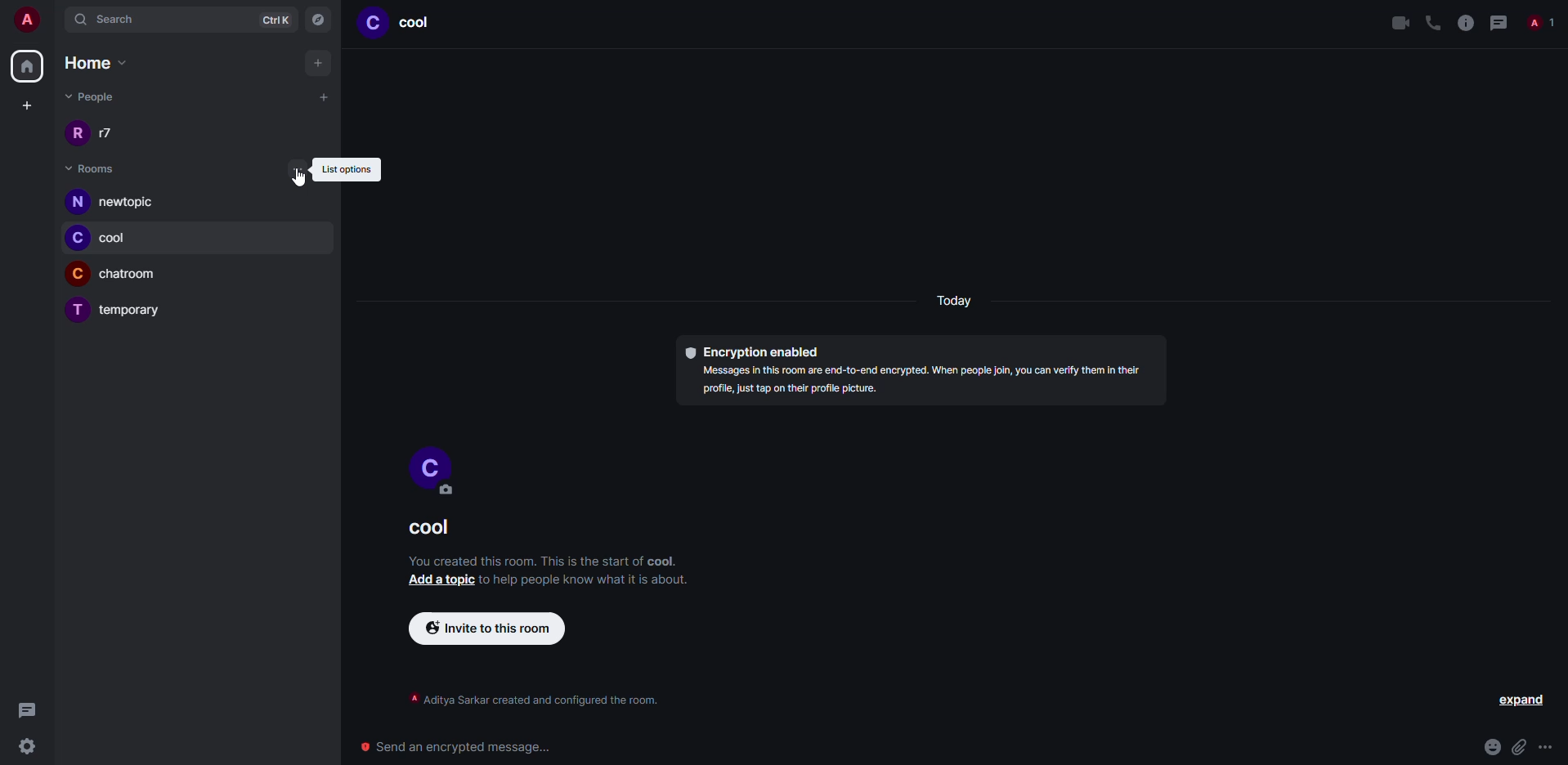  Describe the element at coordinates (127, 271) in the screenshot. I see `chatroom` at that location.